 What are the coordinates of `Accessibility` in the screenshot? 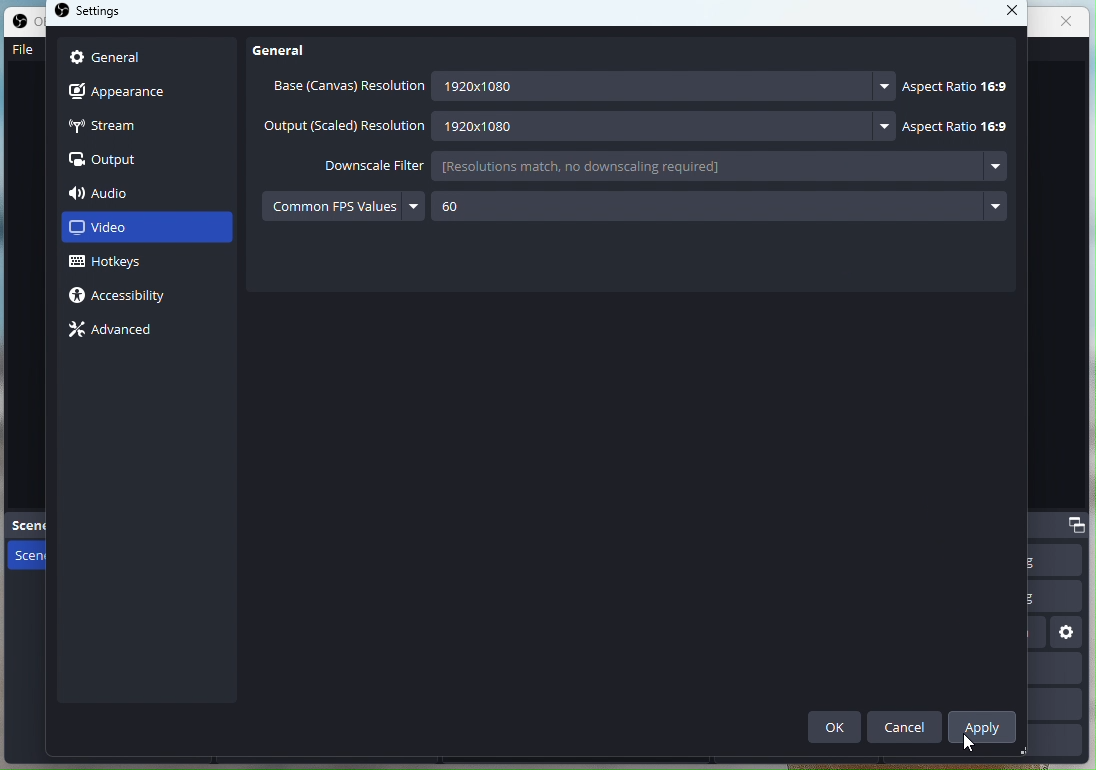 It's located at (128, 299).